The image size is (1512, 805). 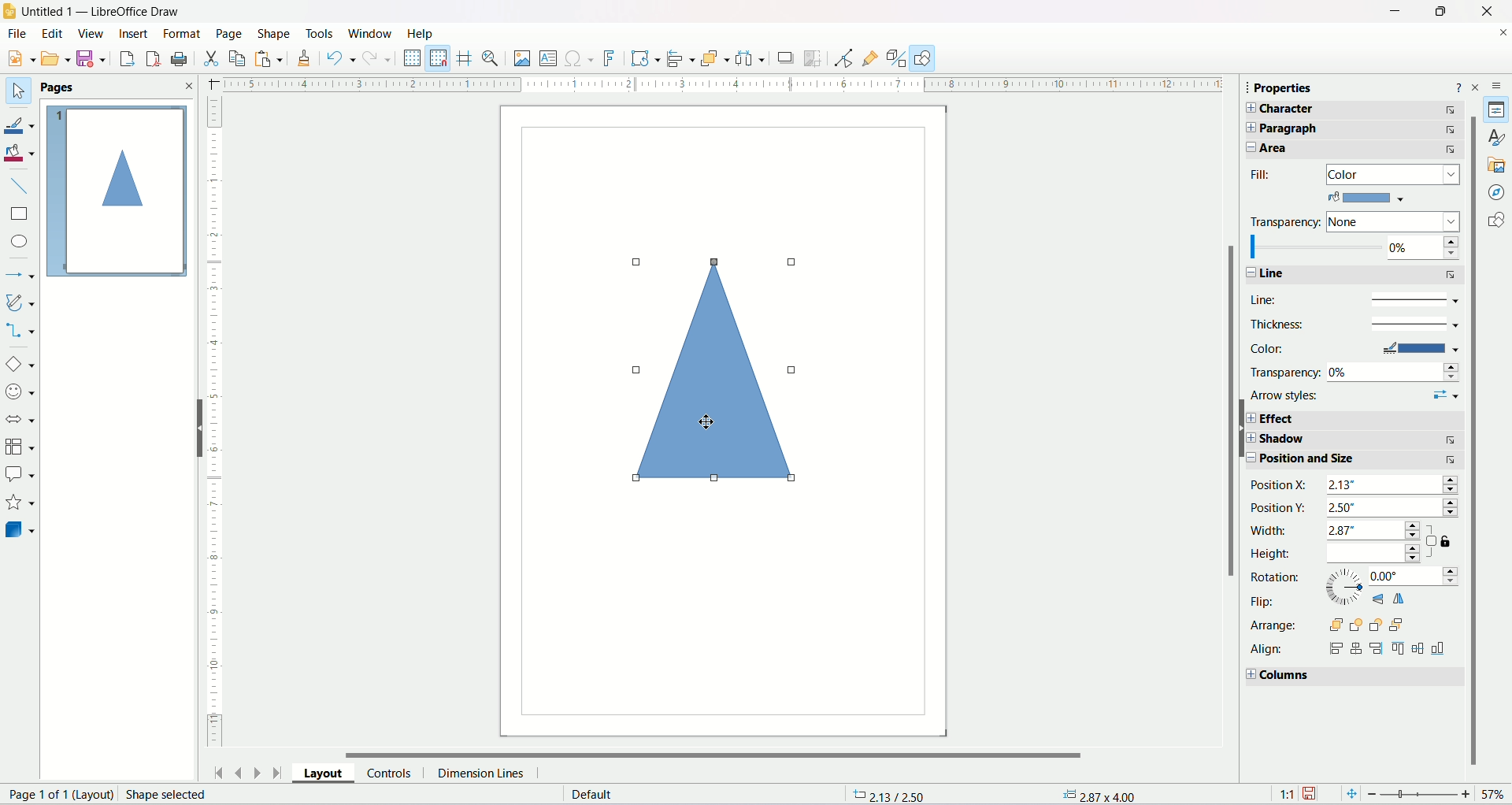 What do you see at coordinates (369, 33) in the screenshot?
I see `Window` at bounding box center [369, 33].